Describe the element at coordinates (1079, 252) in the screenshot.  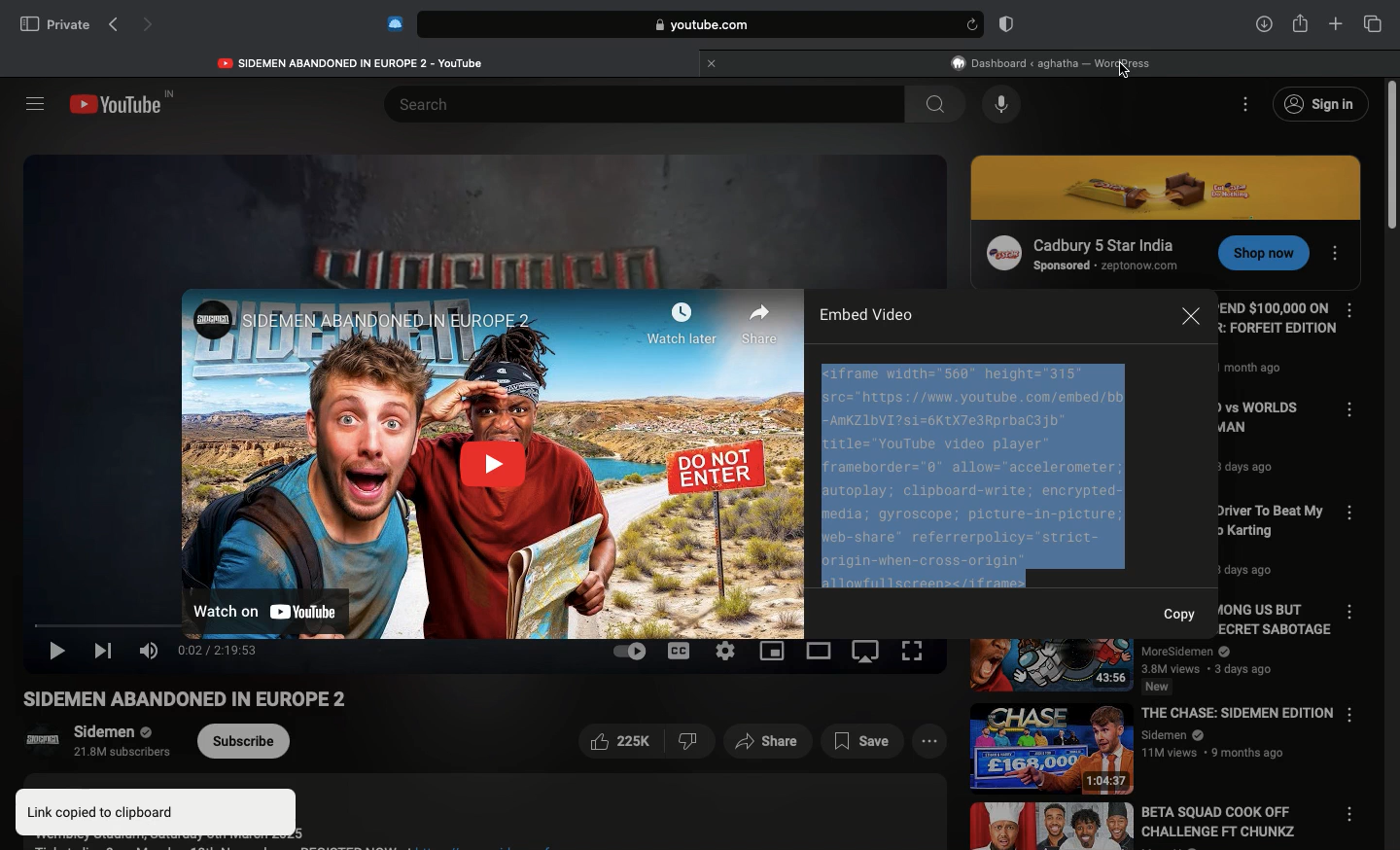
I see `Ad` at that location.